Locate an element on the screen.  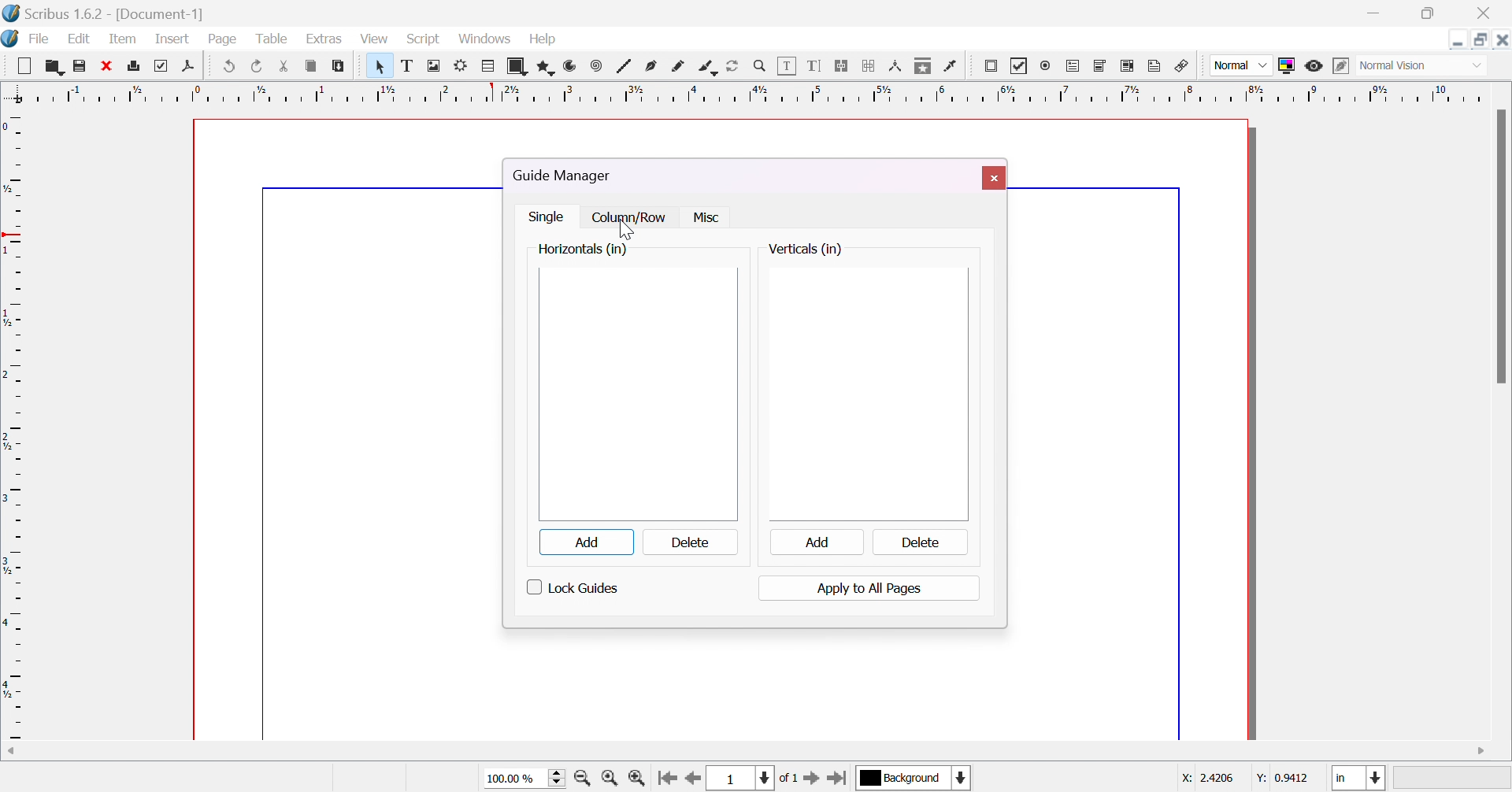
PDF list box is located at coordinates (1129, 65).